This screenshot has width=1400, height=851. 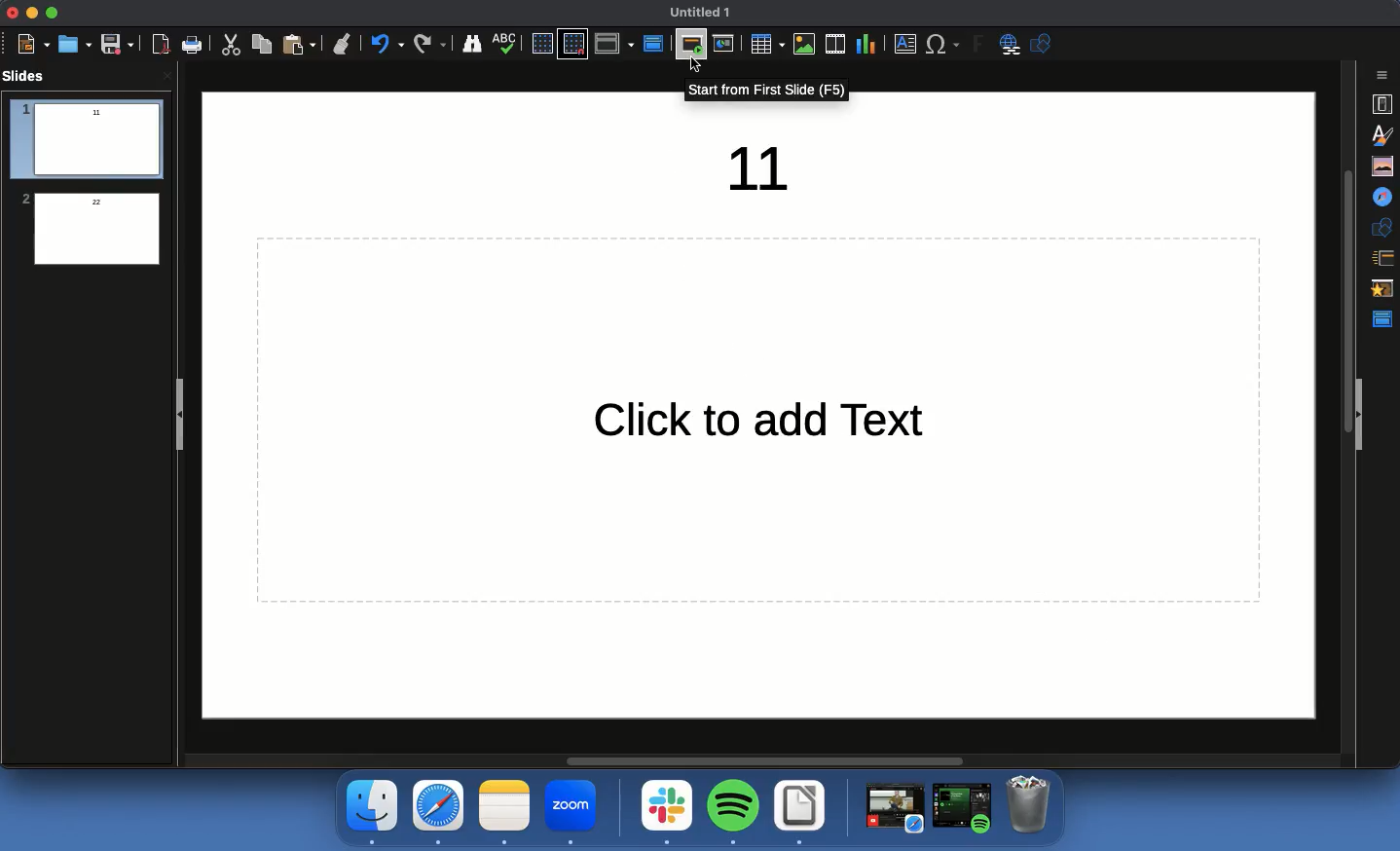 I want to click on Start from first slide, so click(x=767, y=92).